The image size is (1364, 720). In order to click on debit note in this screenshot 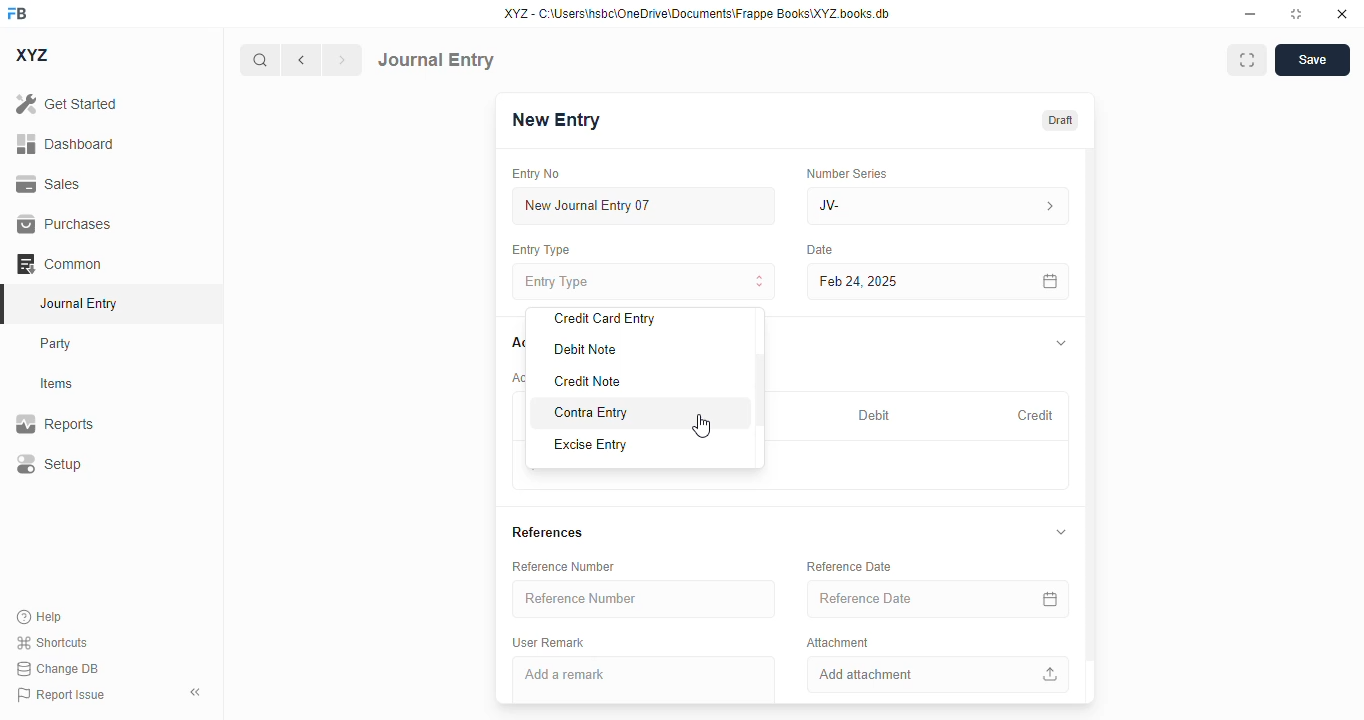, I will do `click(586, 347)`.